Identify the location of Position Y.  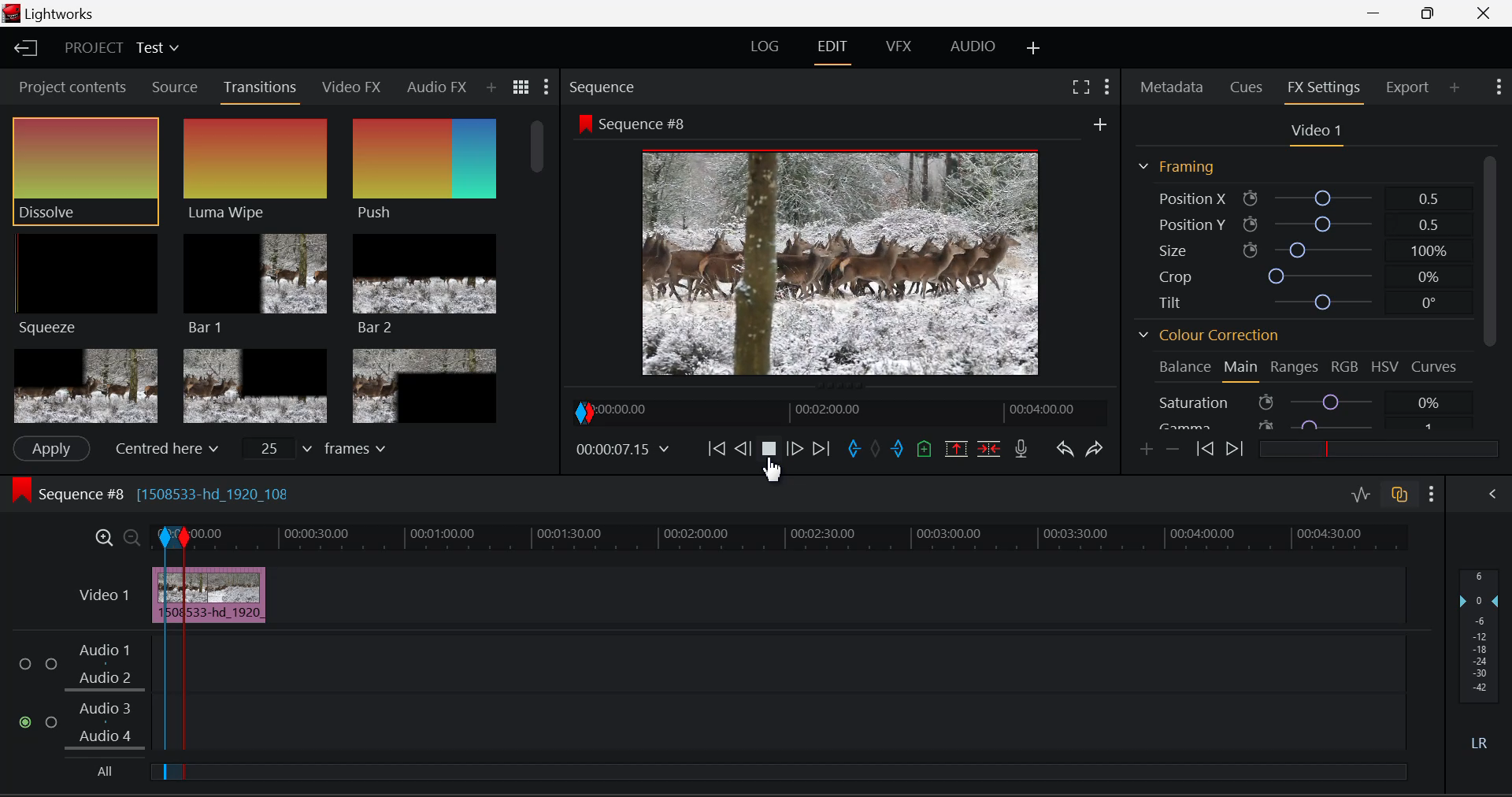
(1295, 221).